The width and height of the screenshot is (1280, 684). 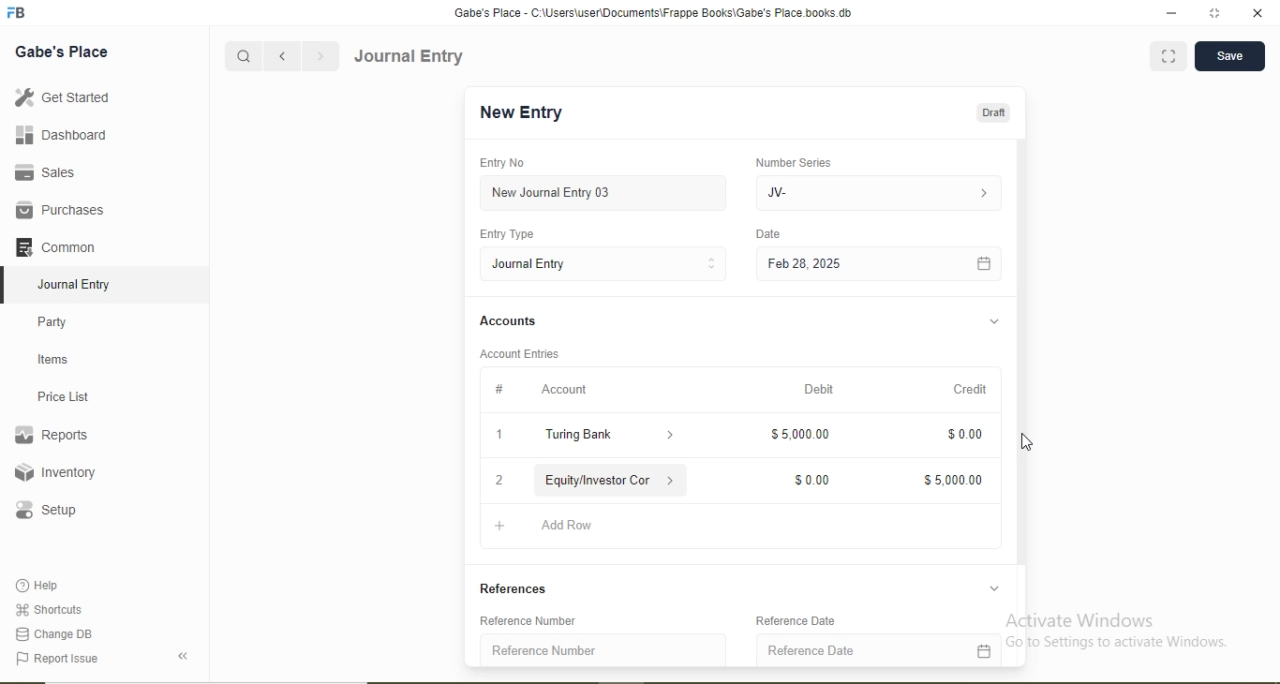 What do you see at coordinates (53, 324) in the screenshot?
I see `Party` at bounding box center [53, 324].